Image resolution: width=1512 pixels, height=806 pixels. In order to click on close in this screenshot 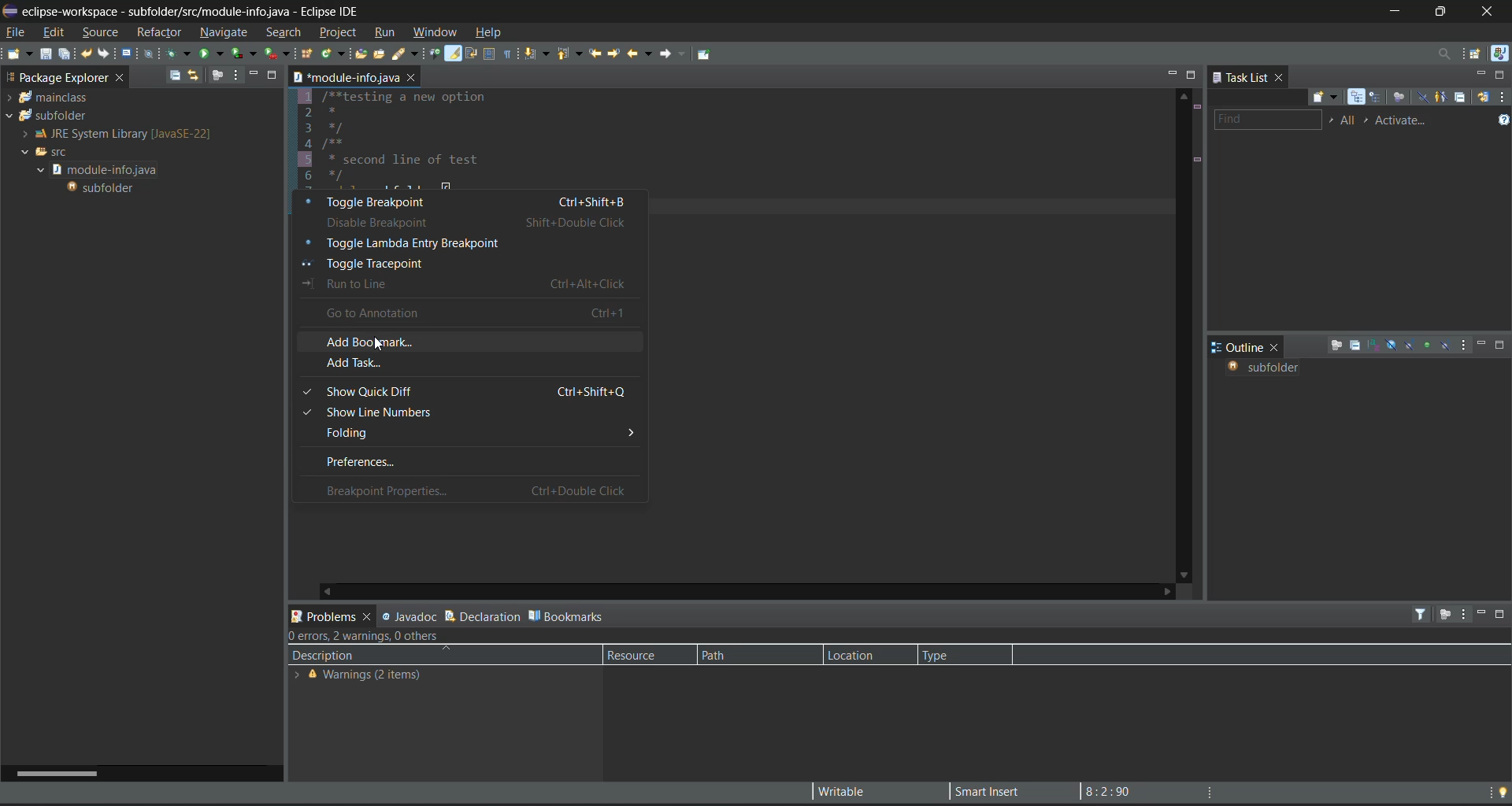, I will do `click(1282, 79)`.